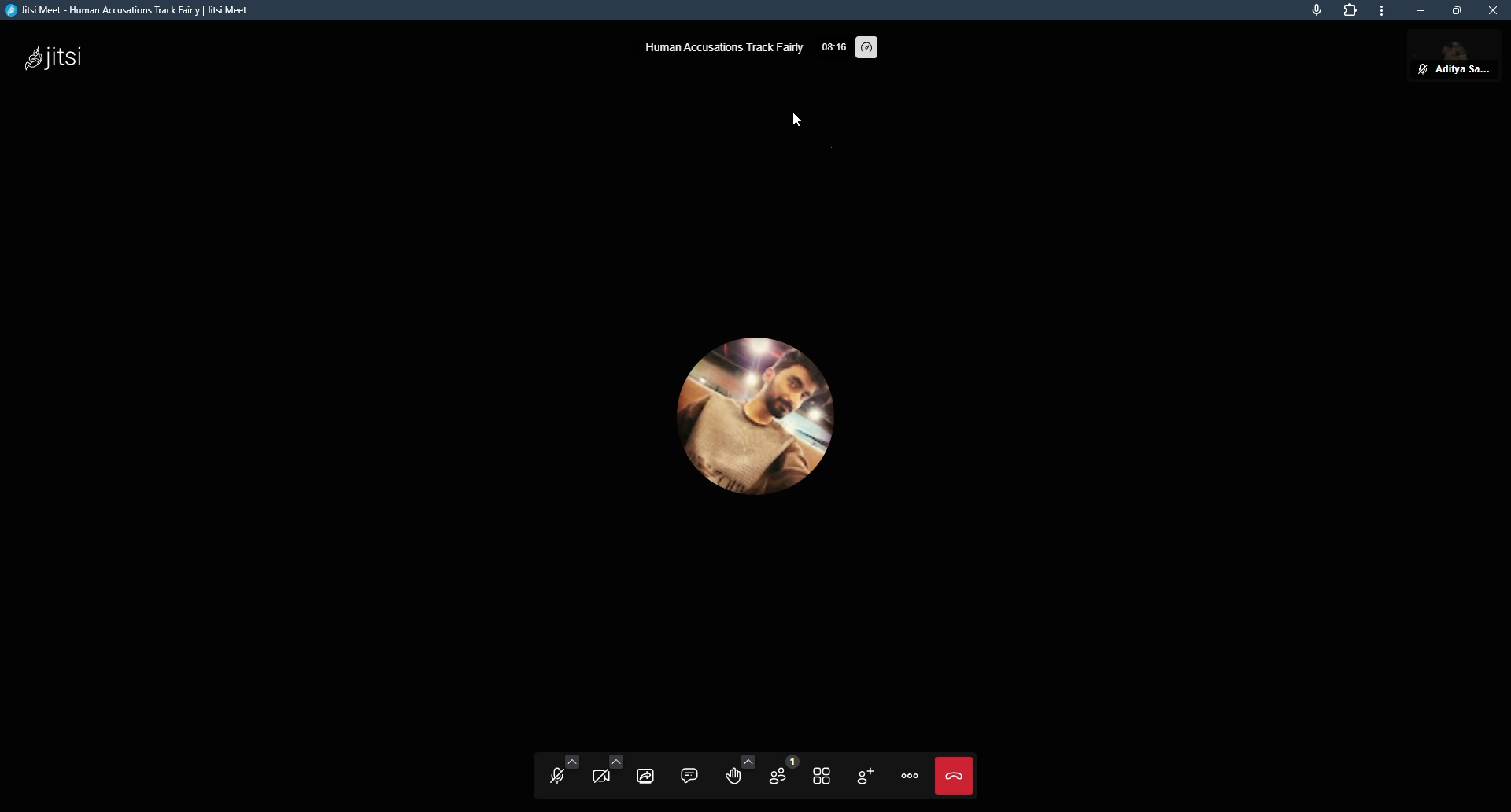 The height and width of the screenshot is (812, 1511). What do you see at coordinates (61, 57) in the screenshot?
I see `jitsi` at bounding box center [61, 57].